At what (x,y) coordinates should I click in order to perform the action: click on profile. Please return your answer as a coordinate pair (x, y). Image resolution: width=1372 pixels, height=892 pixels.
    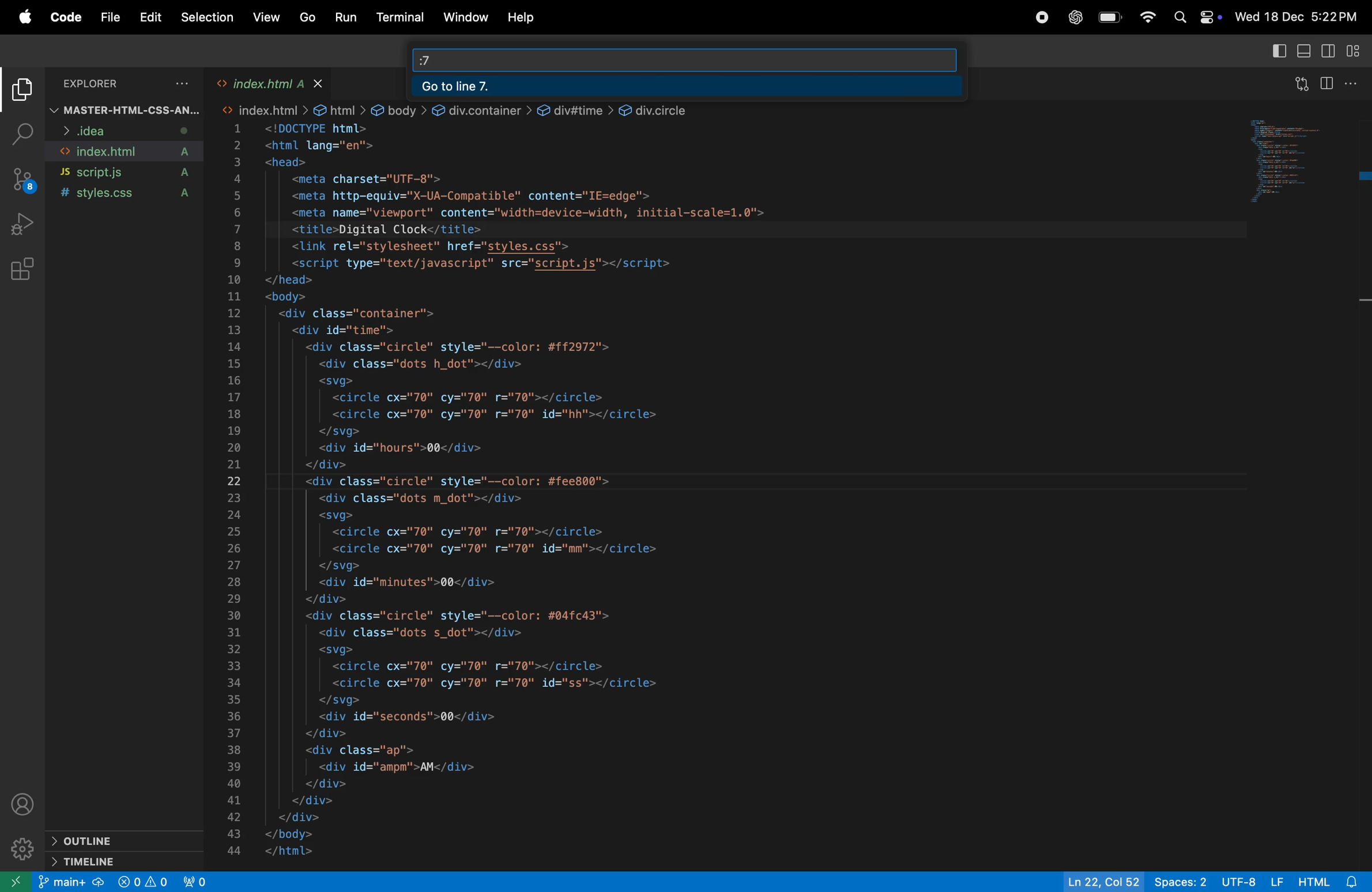
    Looking at the image, I should click on (27, 804).